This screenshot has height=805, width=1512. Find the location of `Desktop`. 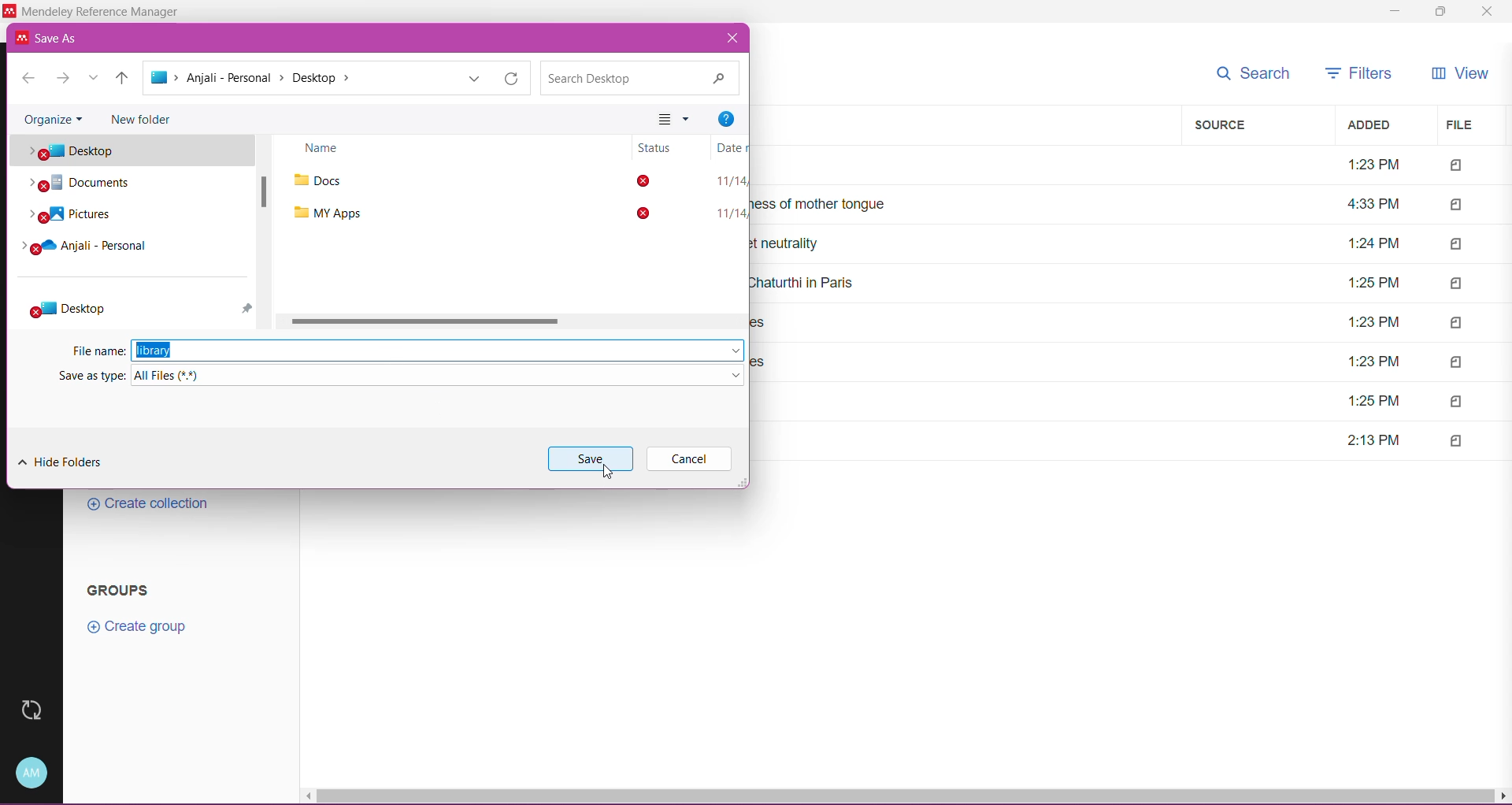

Desktop is located at coordinates (71, 309).